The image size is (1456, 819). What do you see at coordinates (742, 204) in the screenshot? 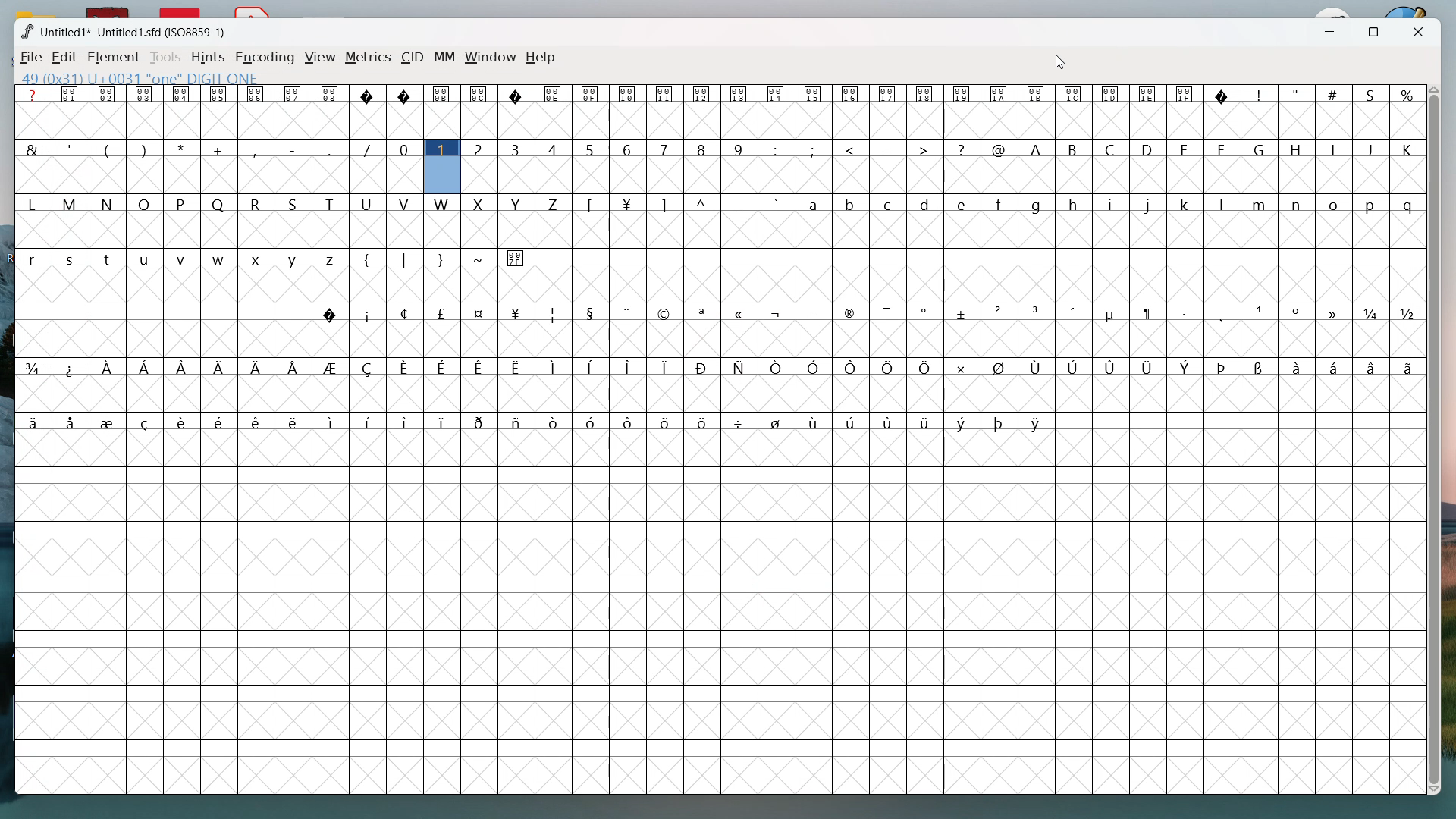
I see `_` at bounding box center [742, 204].